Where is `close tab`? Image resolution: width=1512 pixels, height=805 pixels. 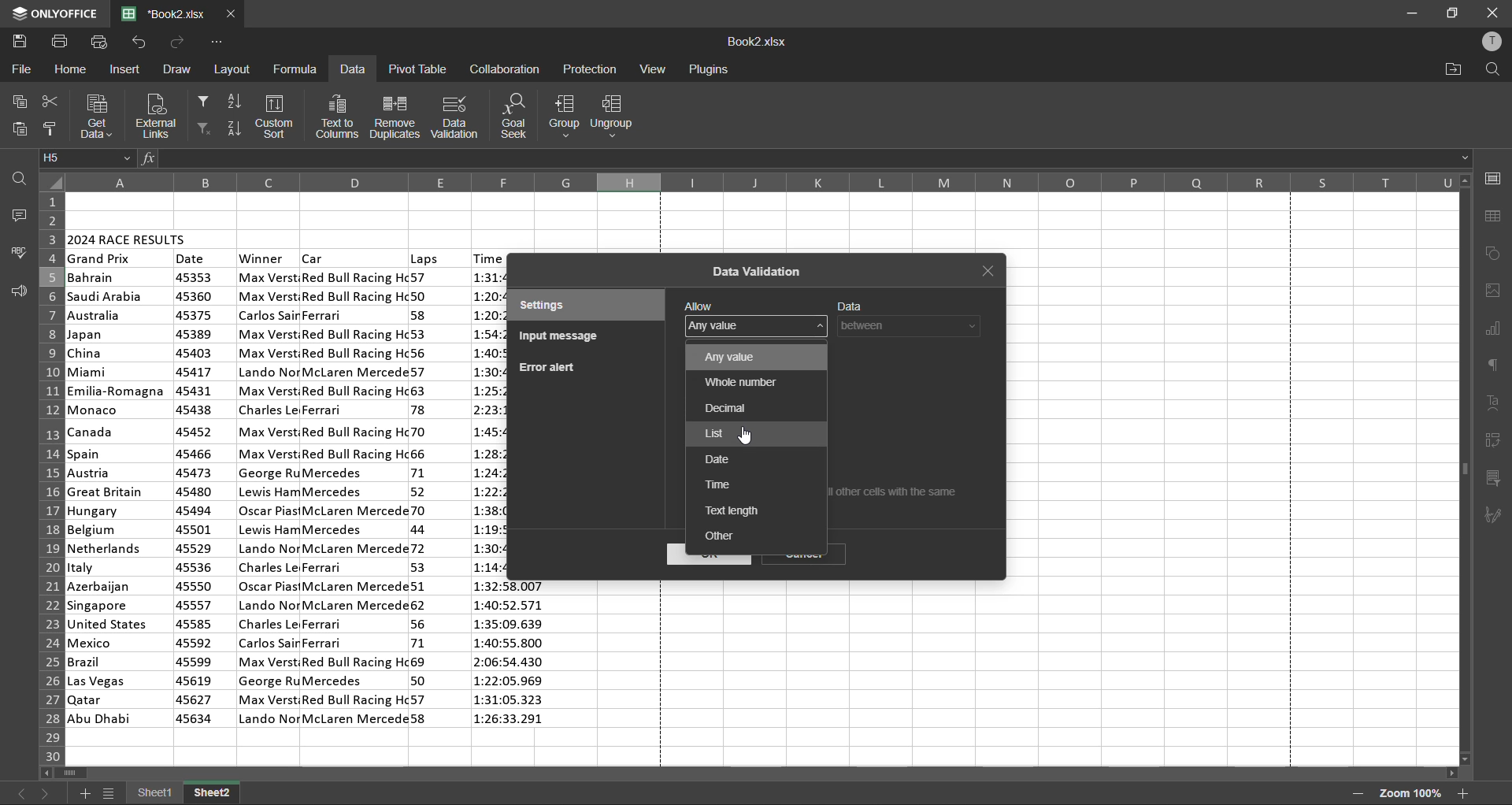
close tab is located at coordinates (992, 273).